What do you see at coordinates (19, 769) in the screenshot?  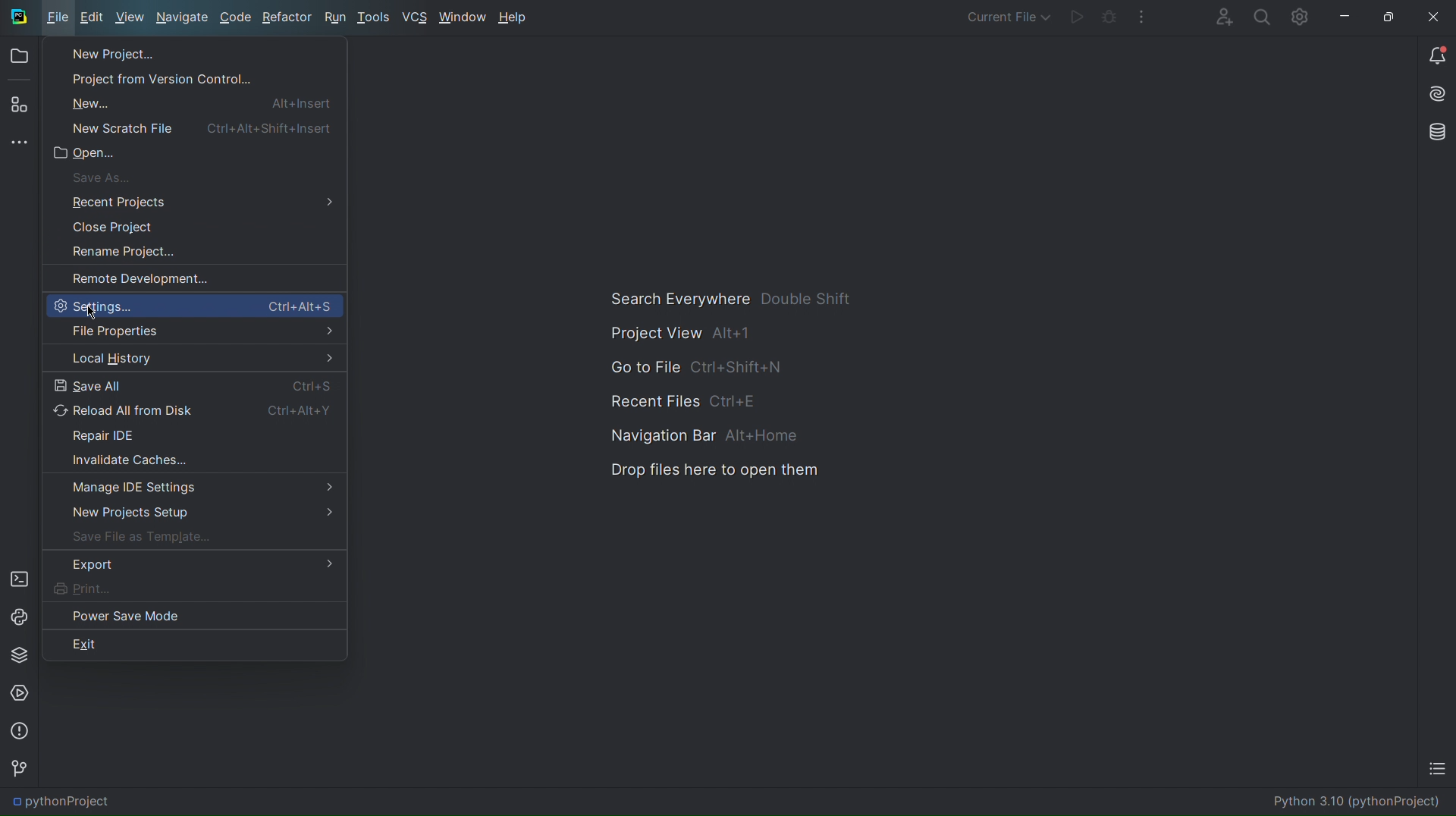 I see `Version Control` at bounding box center [19, 769].